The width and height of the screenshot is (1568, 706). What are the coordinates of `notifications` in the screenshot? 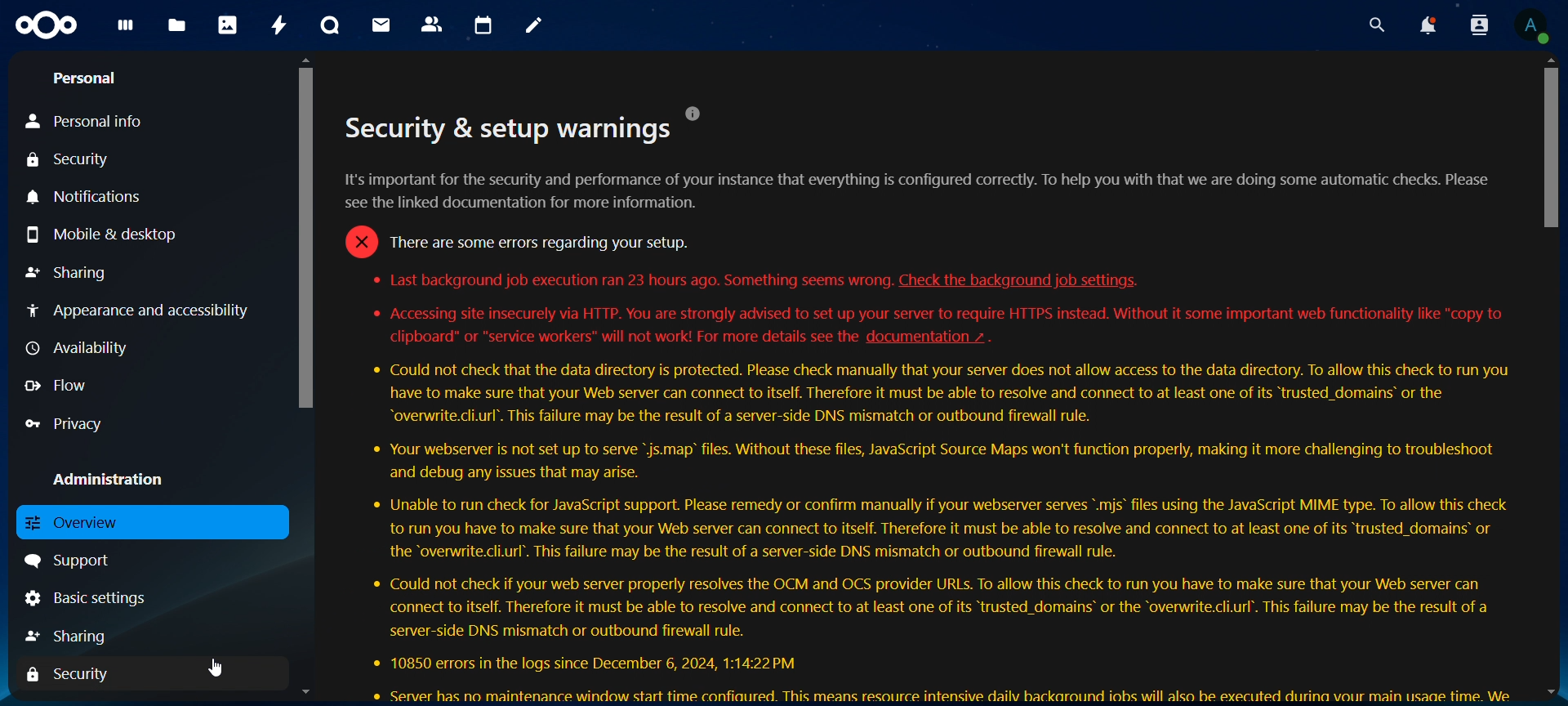 It's located at (1430, 27).